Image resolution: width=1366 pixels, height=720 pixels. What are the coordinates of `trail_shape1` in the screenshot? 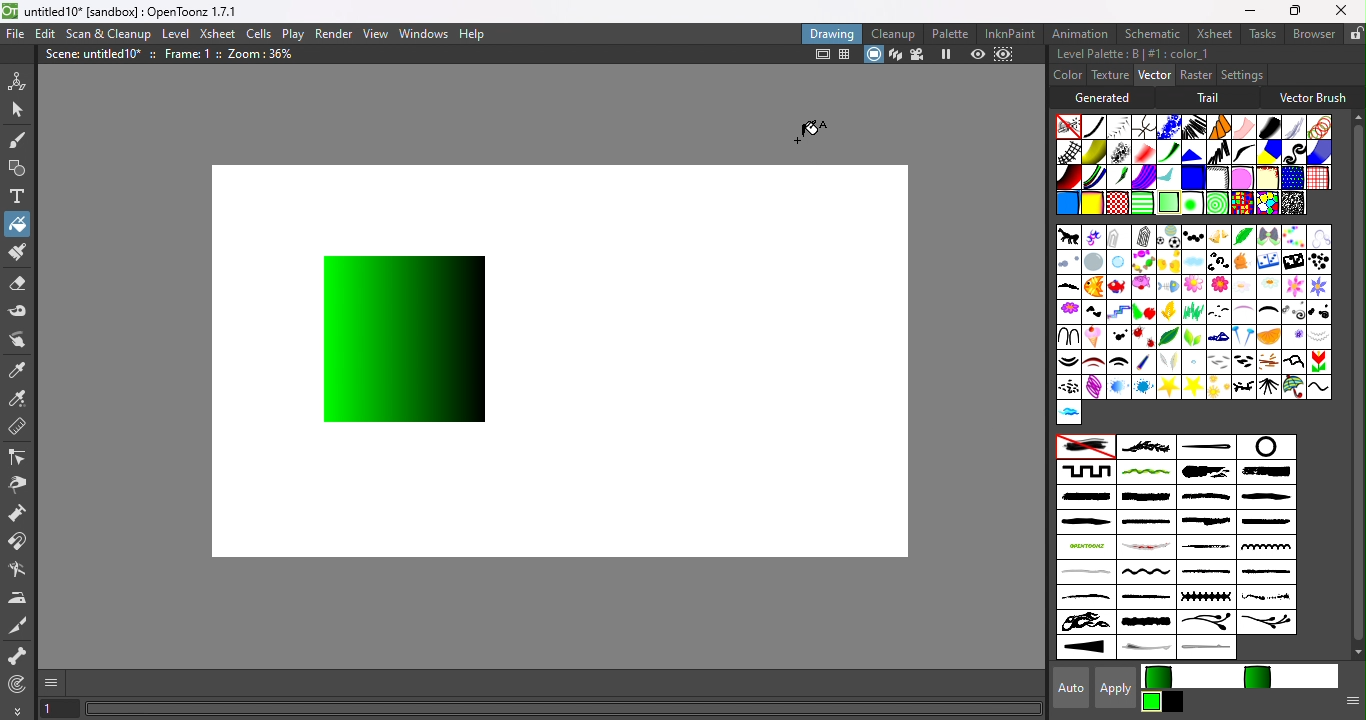 It's located at (1144, 649).